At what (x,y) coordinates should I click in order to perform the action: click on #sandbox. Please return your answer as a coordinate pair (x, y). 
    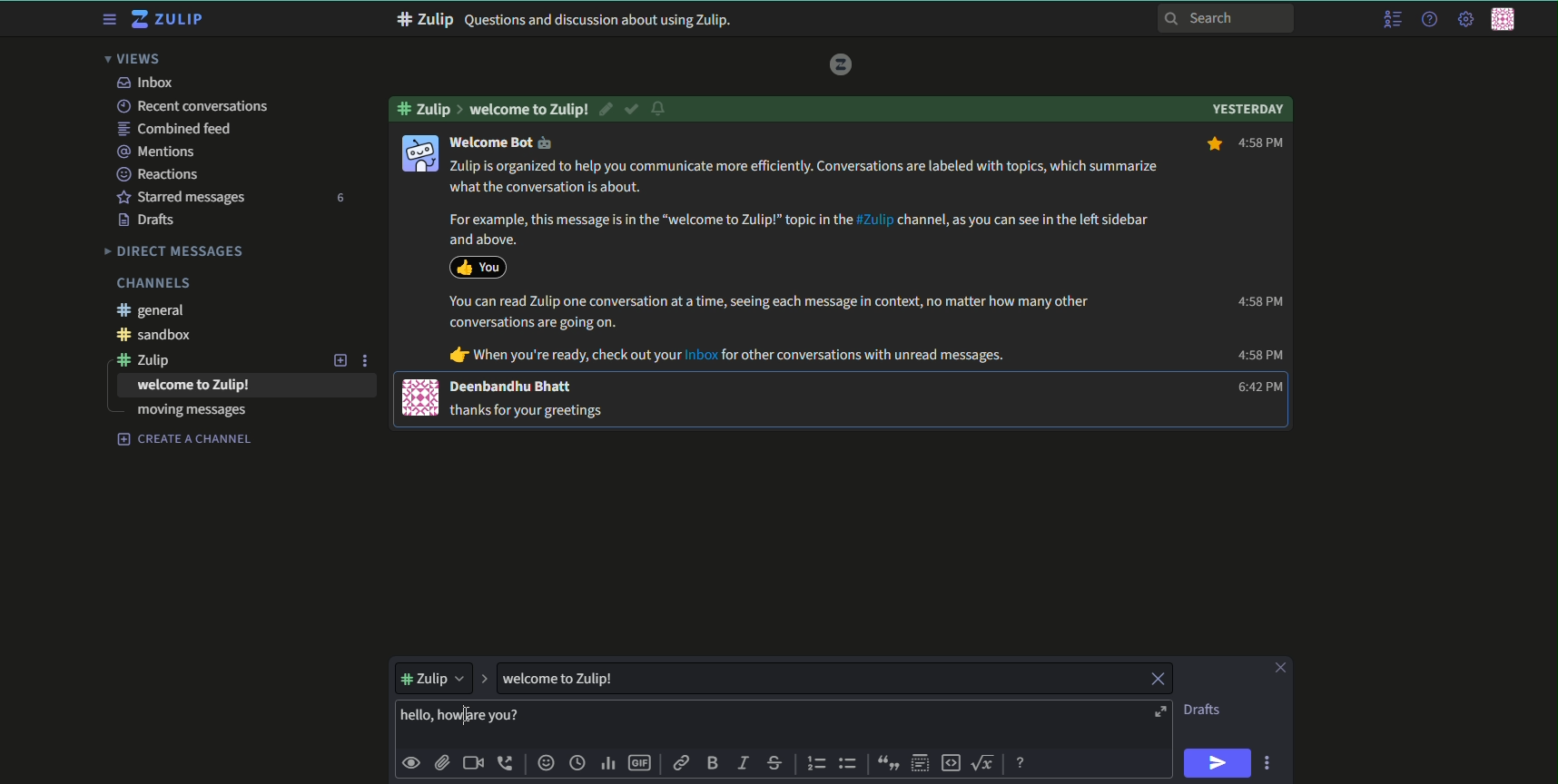
    Looking at the image, I should click on (161, 336).